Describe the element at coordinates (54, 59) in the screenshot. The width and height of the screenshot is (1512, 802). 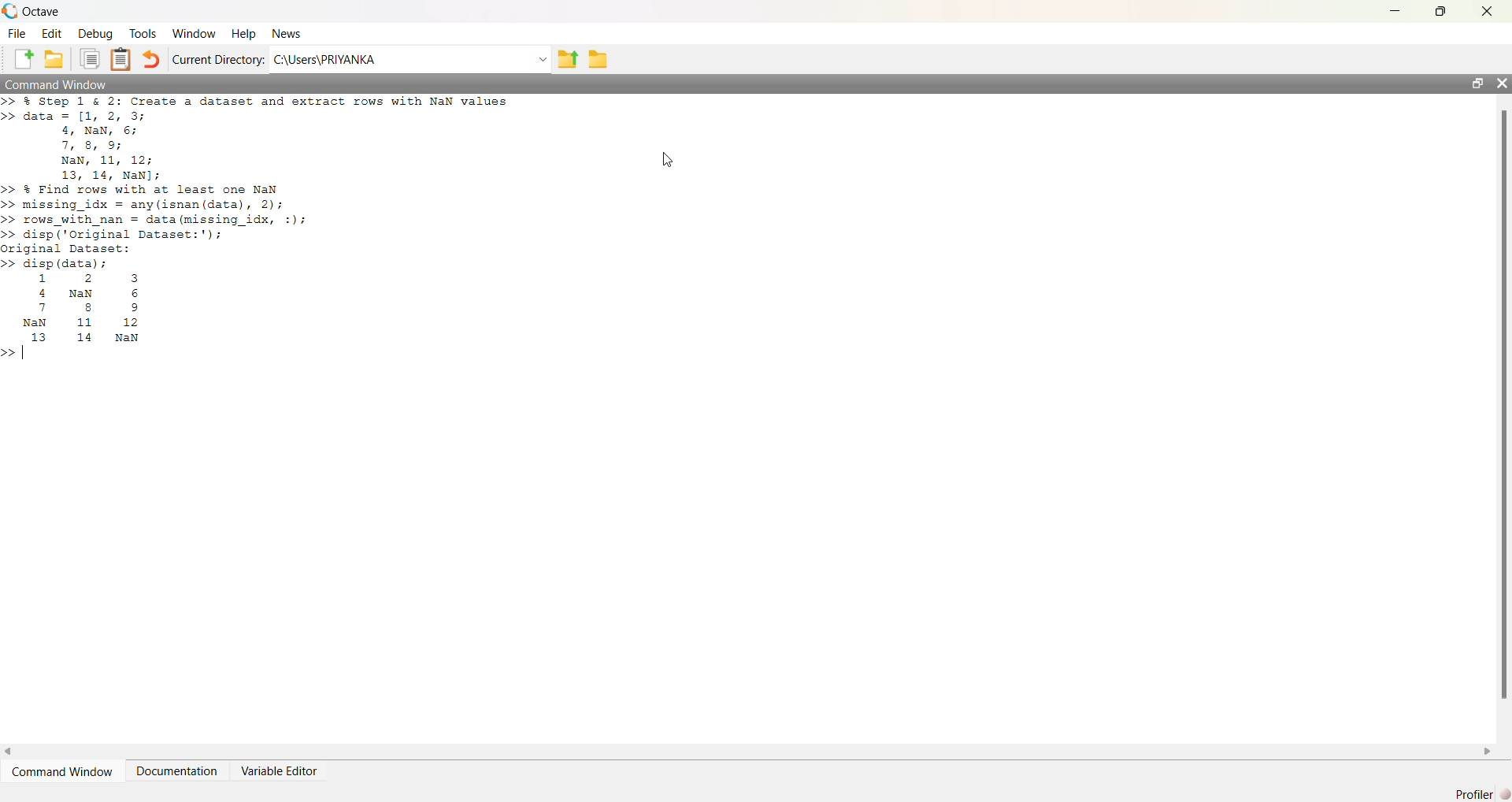
I see `New Folder` at that location.